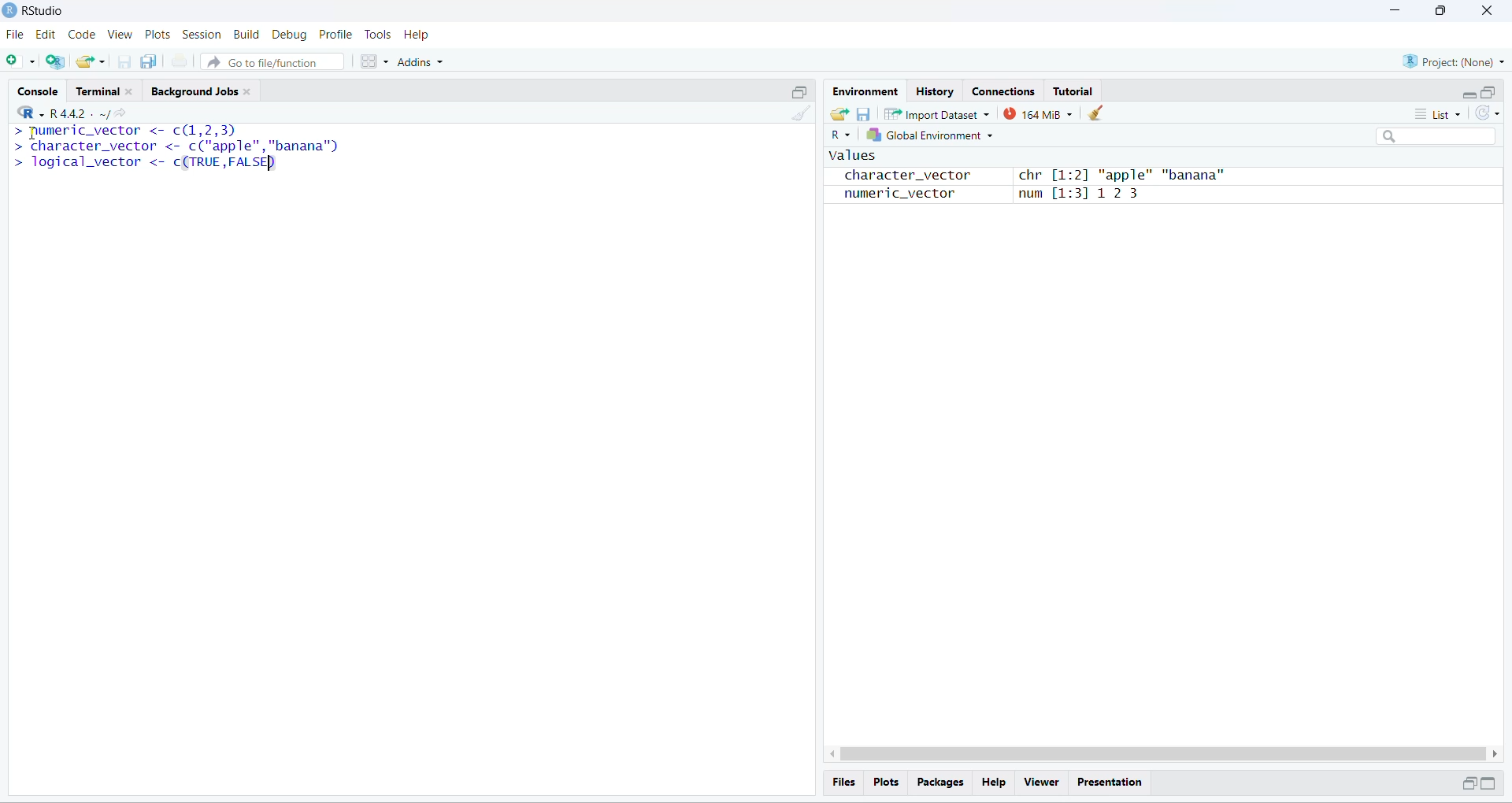 This screenshot has height=803, width=1512. What do you see at coordinates (1038, 114) in the screenshot?
I see `163 MB` at bounding box center [1038, 114].